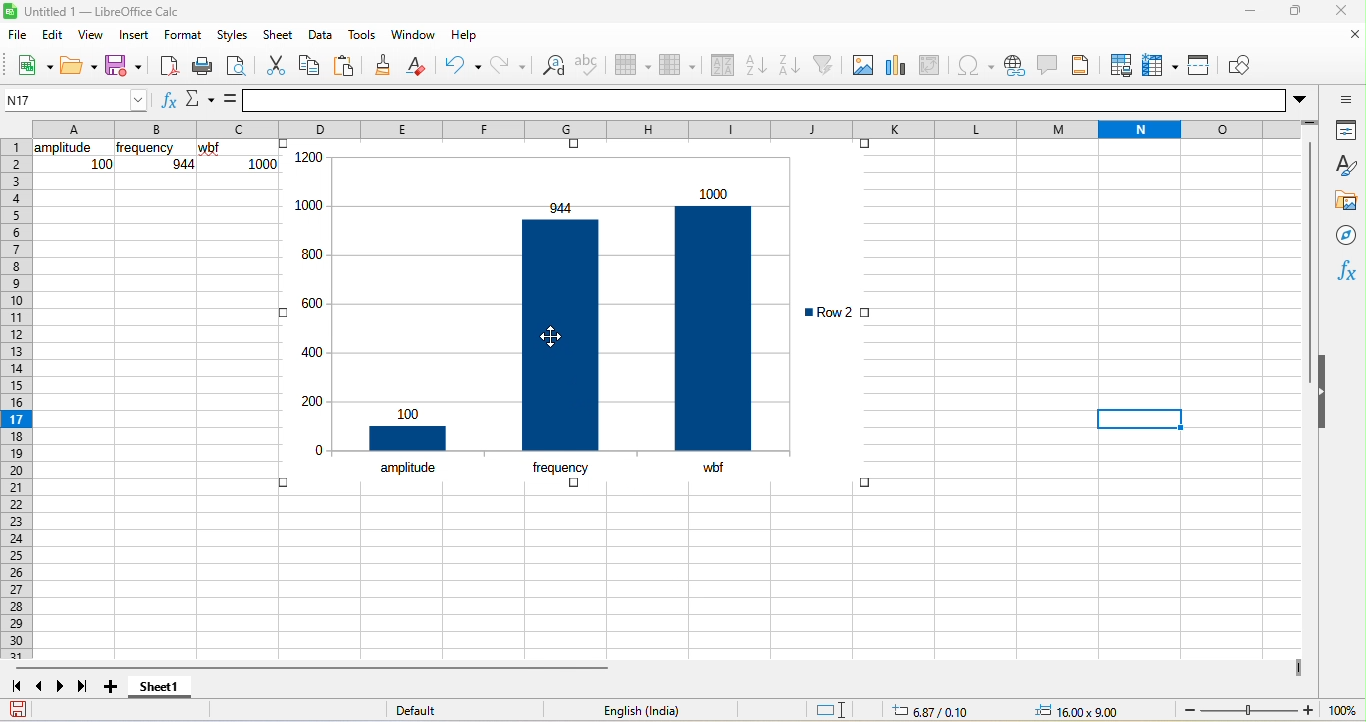  I want to click on format, so click(183, 35).